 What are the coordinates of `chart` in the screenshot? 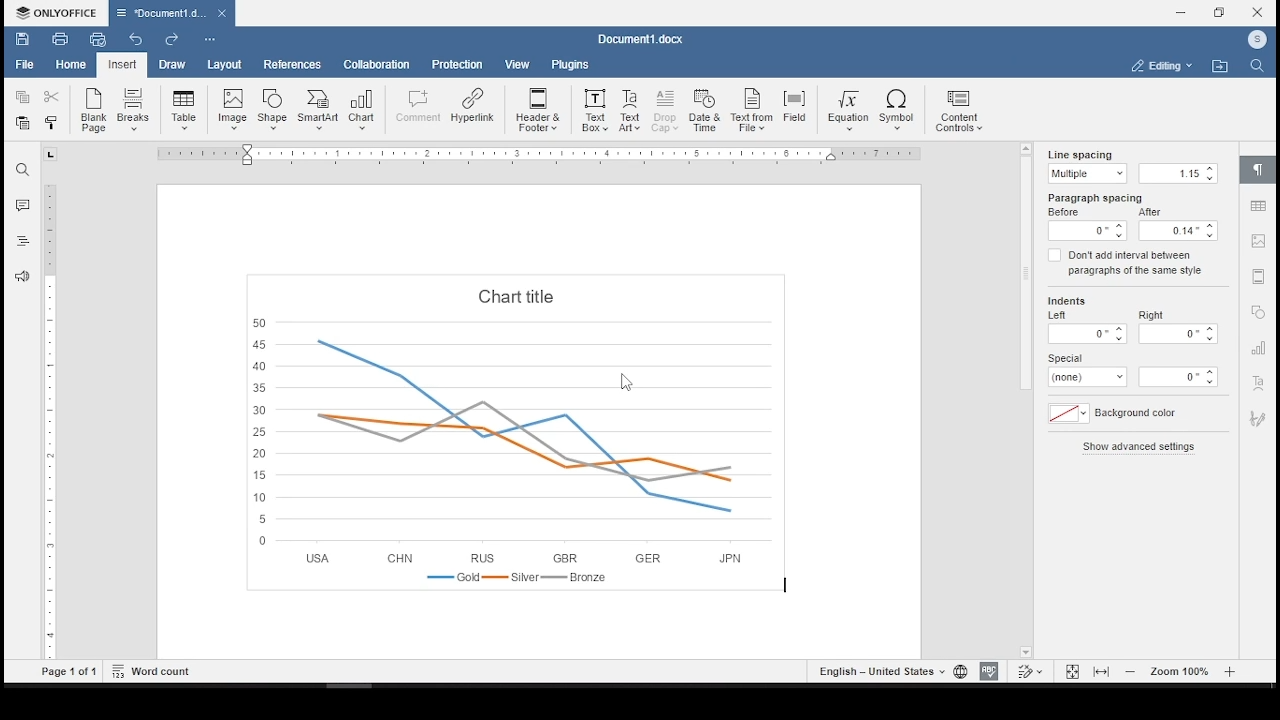 It's located at (515, 430).